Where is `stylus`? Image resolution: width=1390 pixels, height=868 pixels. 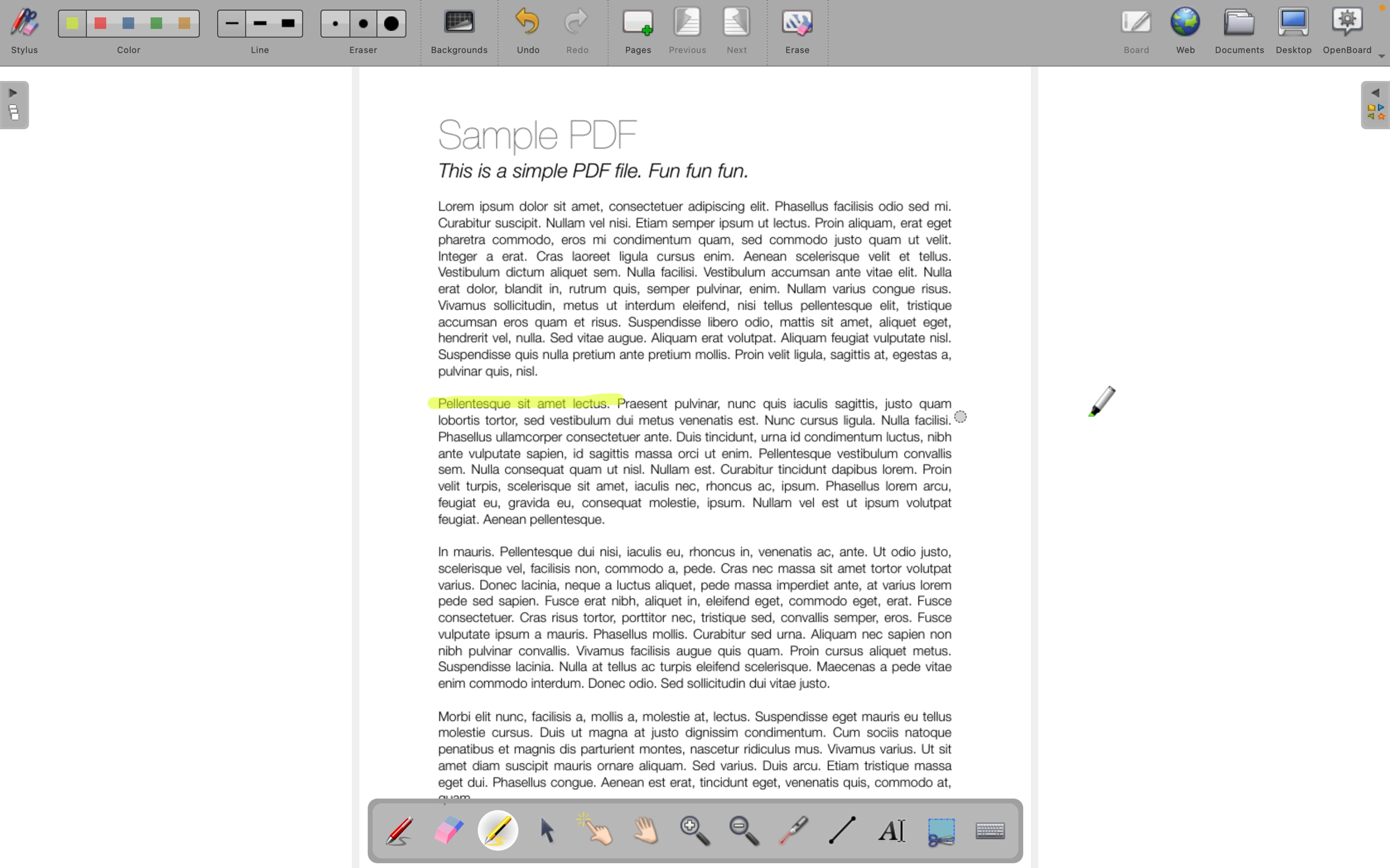
stylus is located at coordinates (22, 34).